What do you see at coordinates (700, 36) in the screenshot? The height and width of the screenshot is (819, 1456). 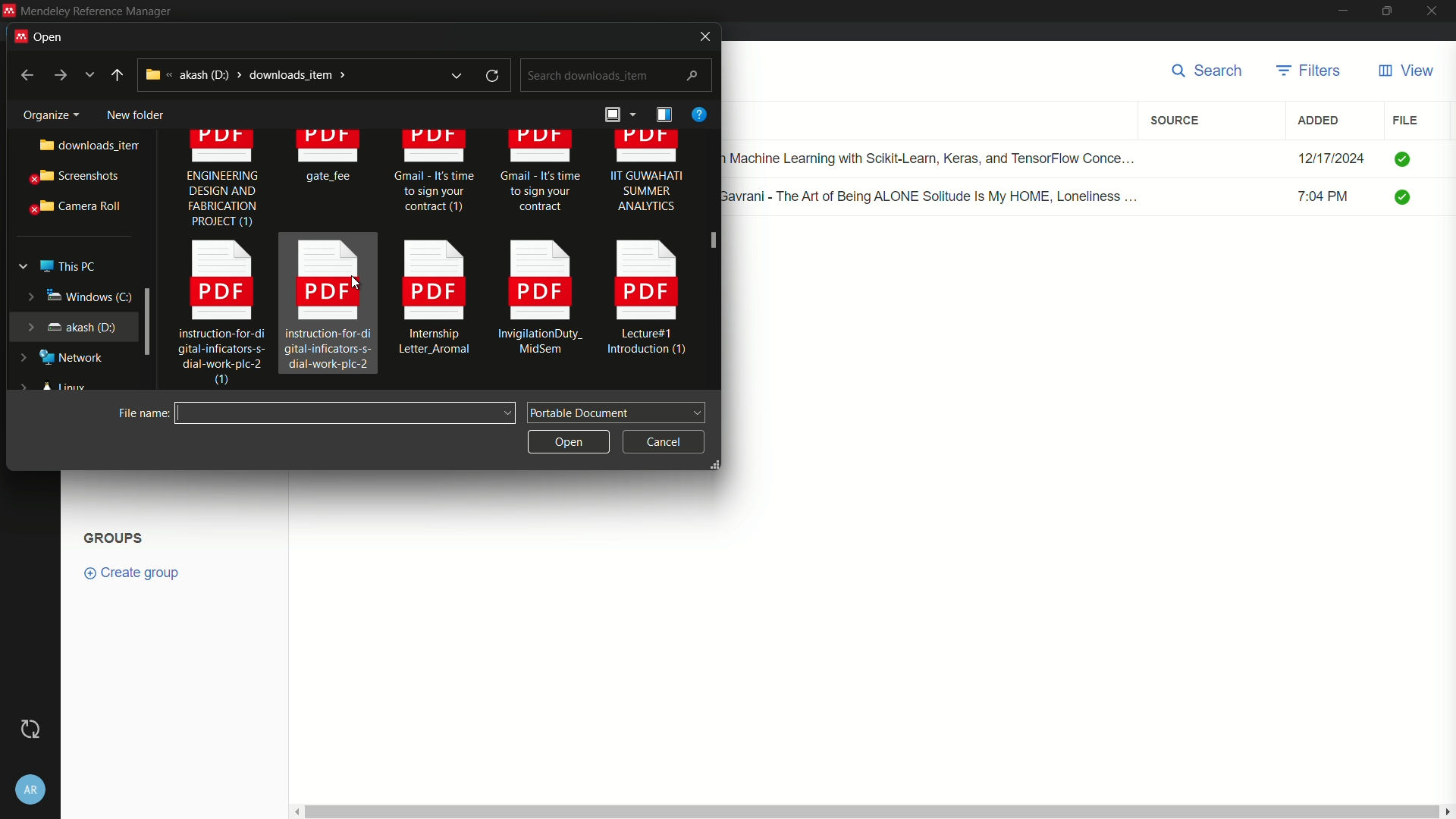 I see `close` at bounding box center [700, 36].